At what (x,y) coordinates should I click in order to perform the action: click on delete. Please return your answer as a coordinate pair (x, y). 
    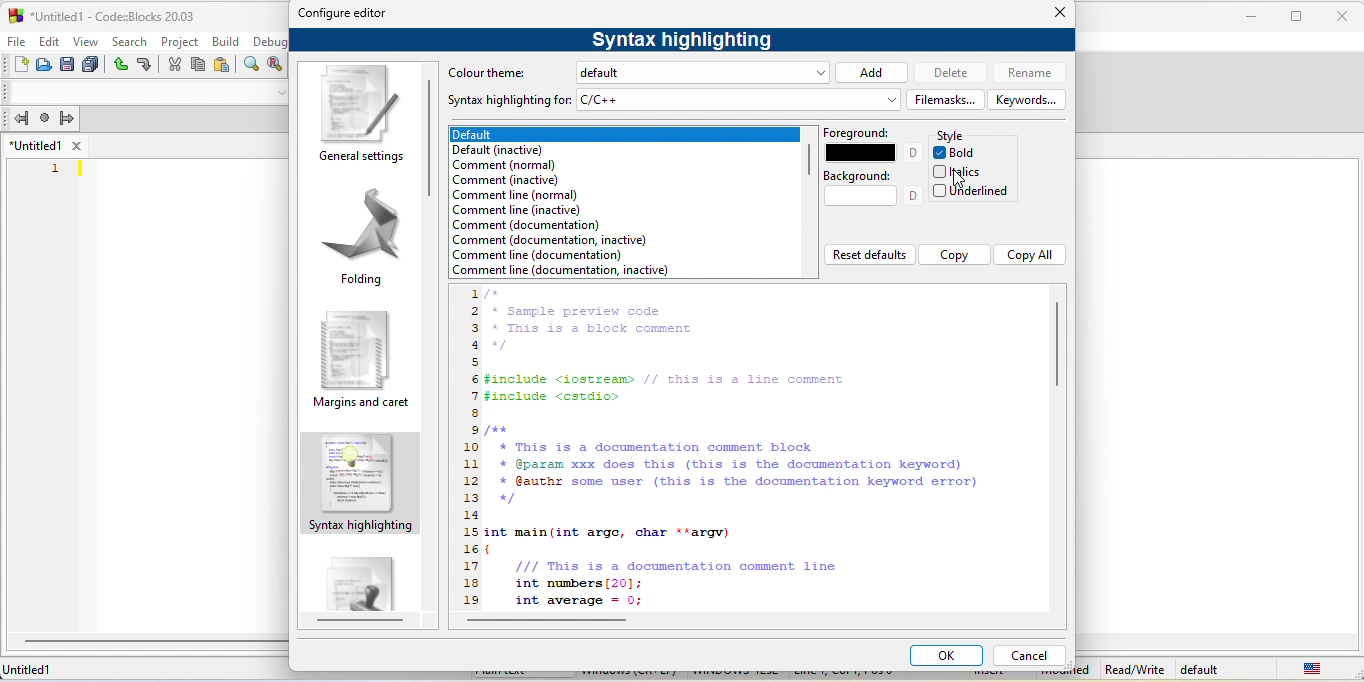
    Looking at the image, I should click on (949, 73).